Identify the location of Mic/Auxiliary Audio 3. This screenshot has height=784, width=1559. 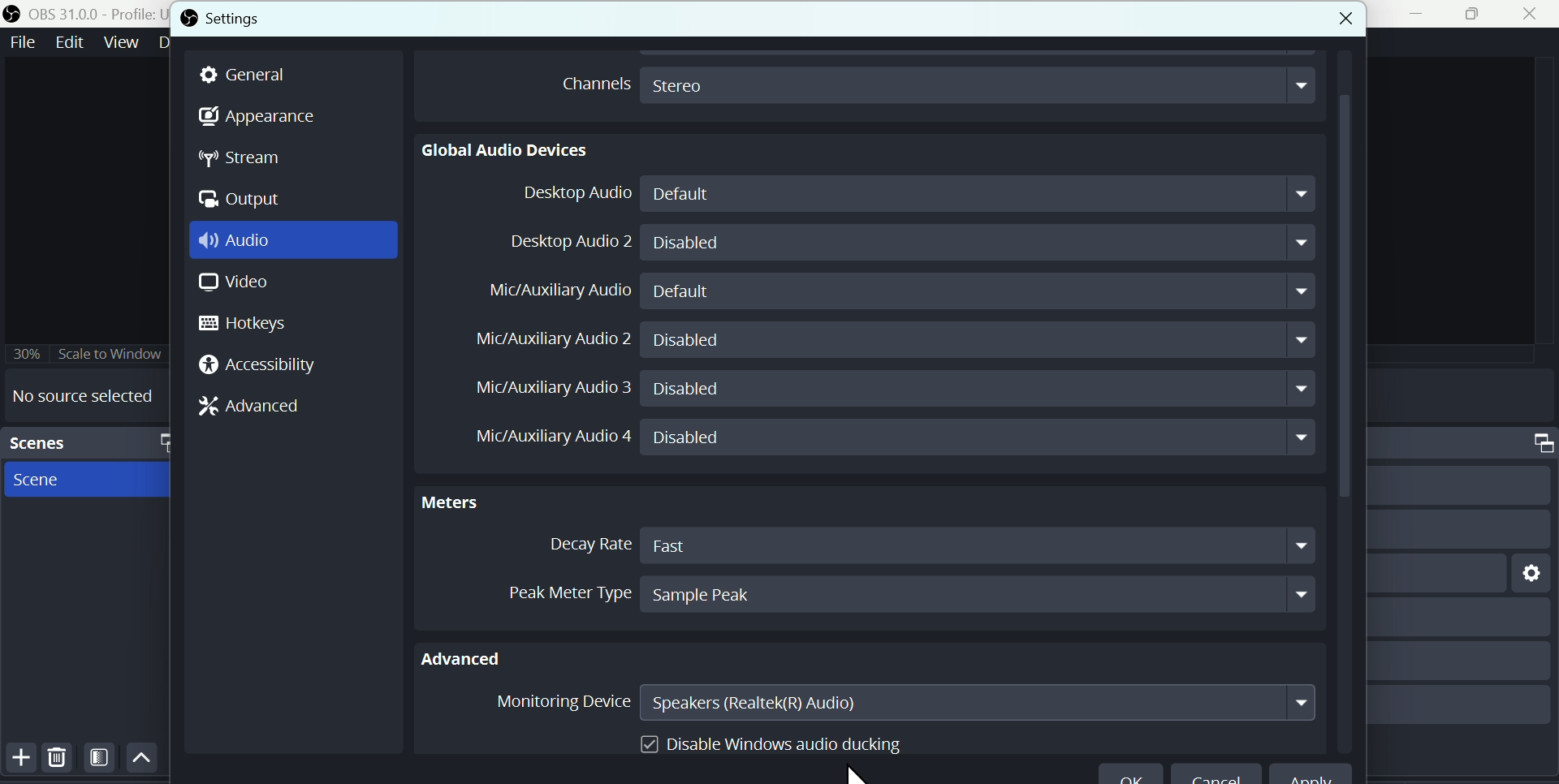
(544, 388).